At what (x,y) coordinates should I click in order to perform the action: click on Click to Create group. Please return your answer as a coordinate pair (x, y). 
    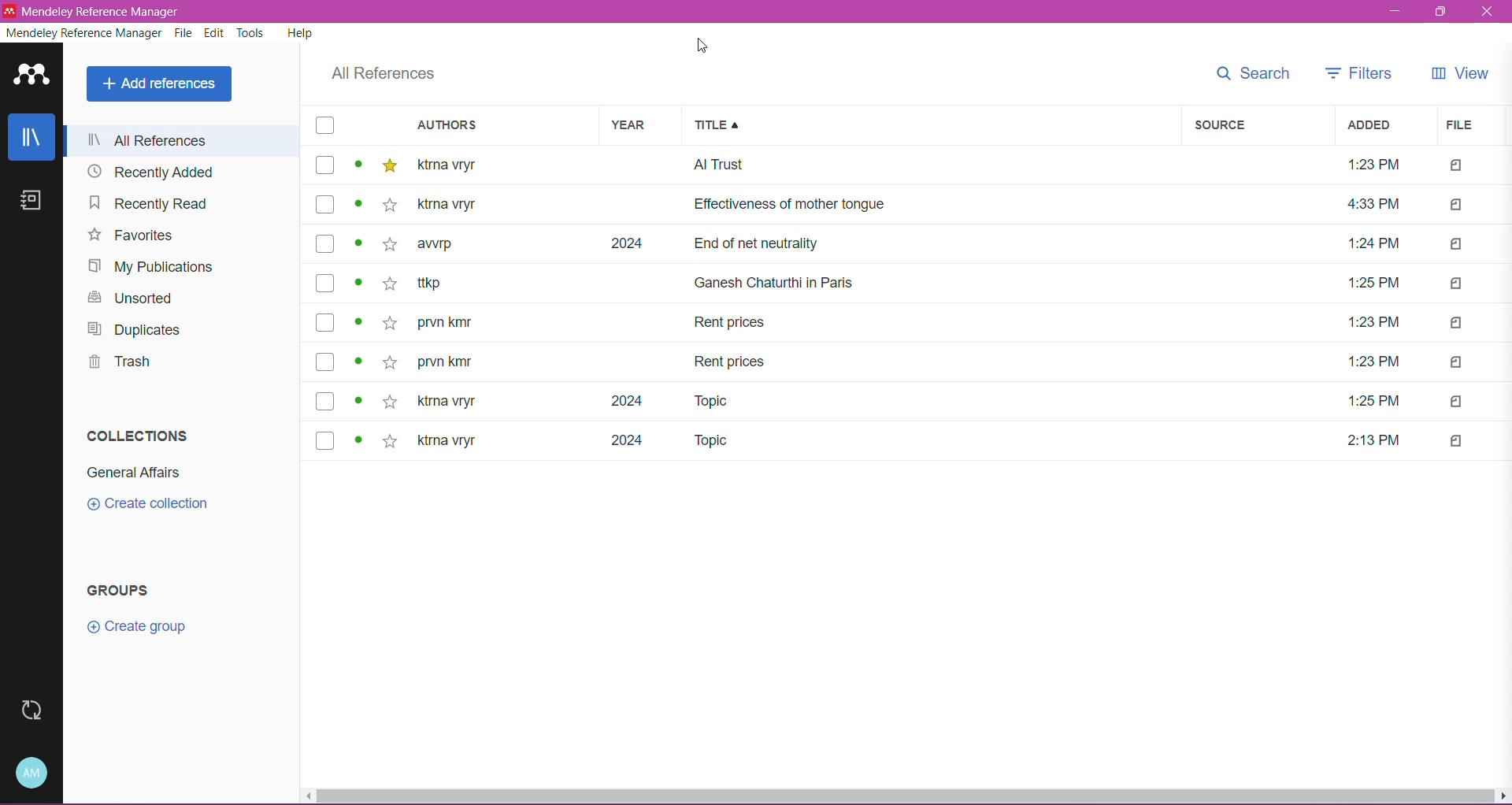
    Looking at the image, I should click on (135, 629).